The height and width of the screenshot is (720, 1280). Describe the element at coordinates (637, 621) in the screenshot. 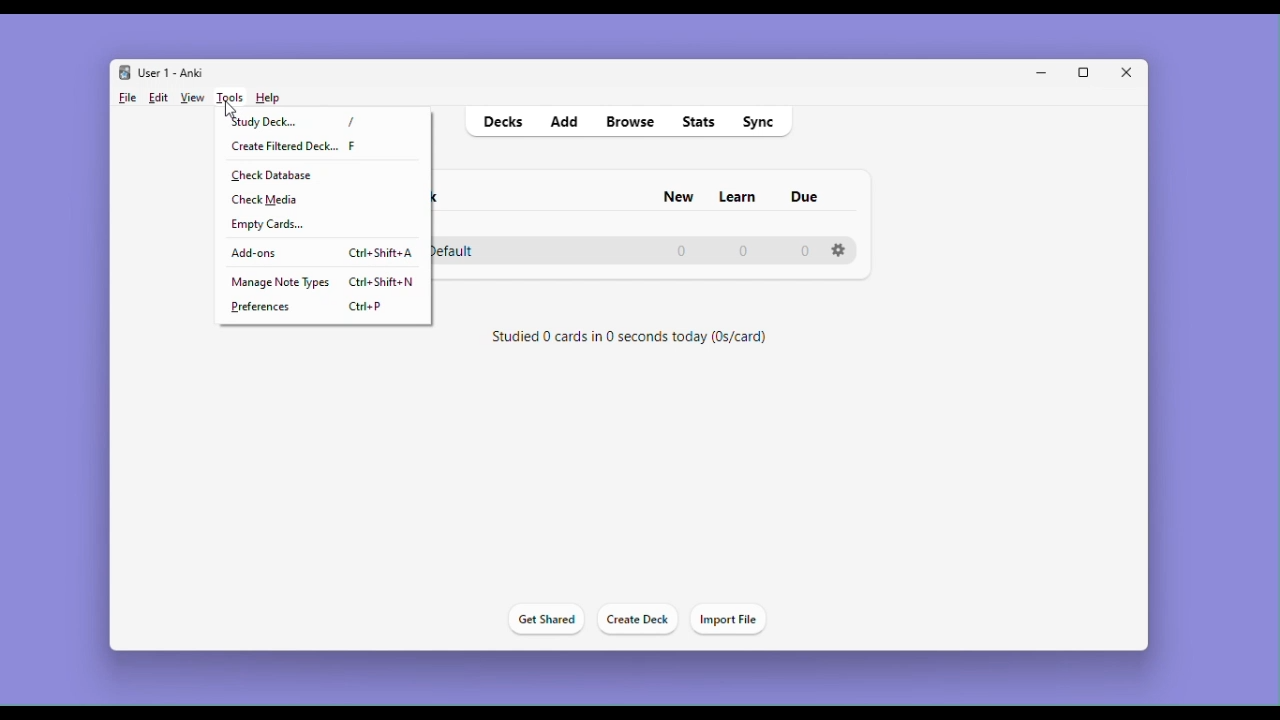

I see `Create deck` at that location.